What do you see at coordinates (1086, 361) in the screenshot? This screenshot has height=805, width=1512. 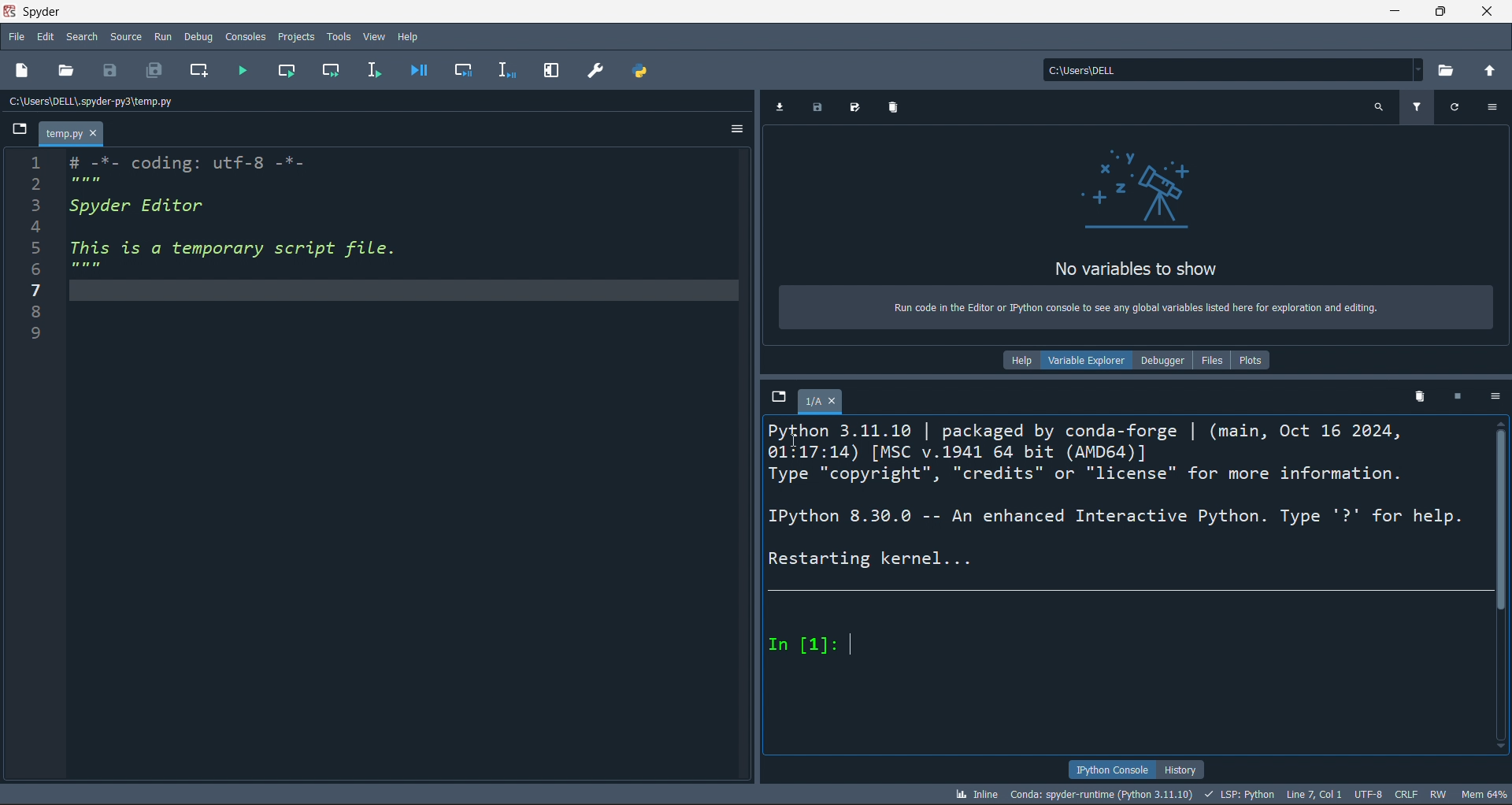 I see `variable explorer (current)` at bounding box center [1086, 361].